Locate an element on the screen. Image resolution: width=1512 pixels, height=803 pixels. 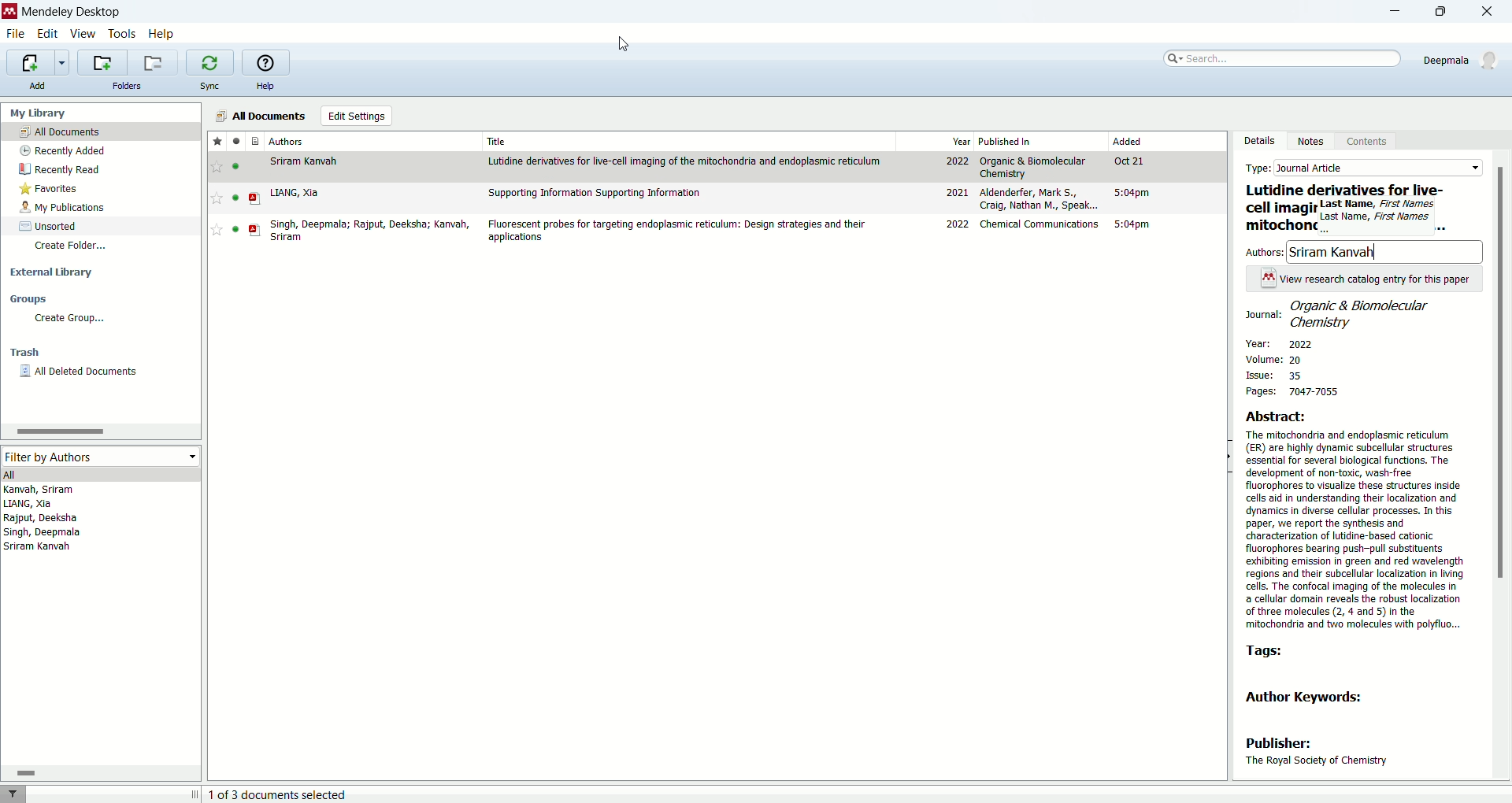
Organic & Biomolecular Chemistry is located at coordinates (1036, 167).